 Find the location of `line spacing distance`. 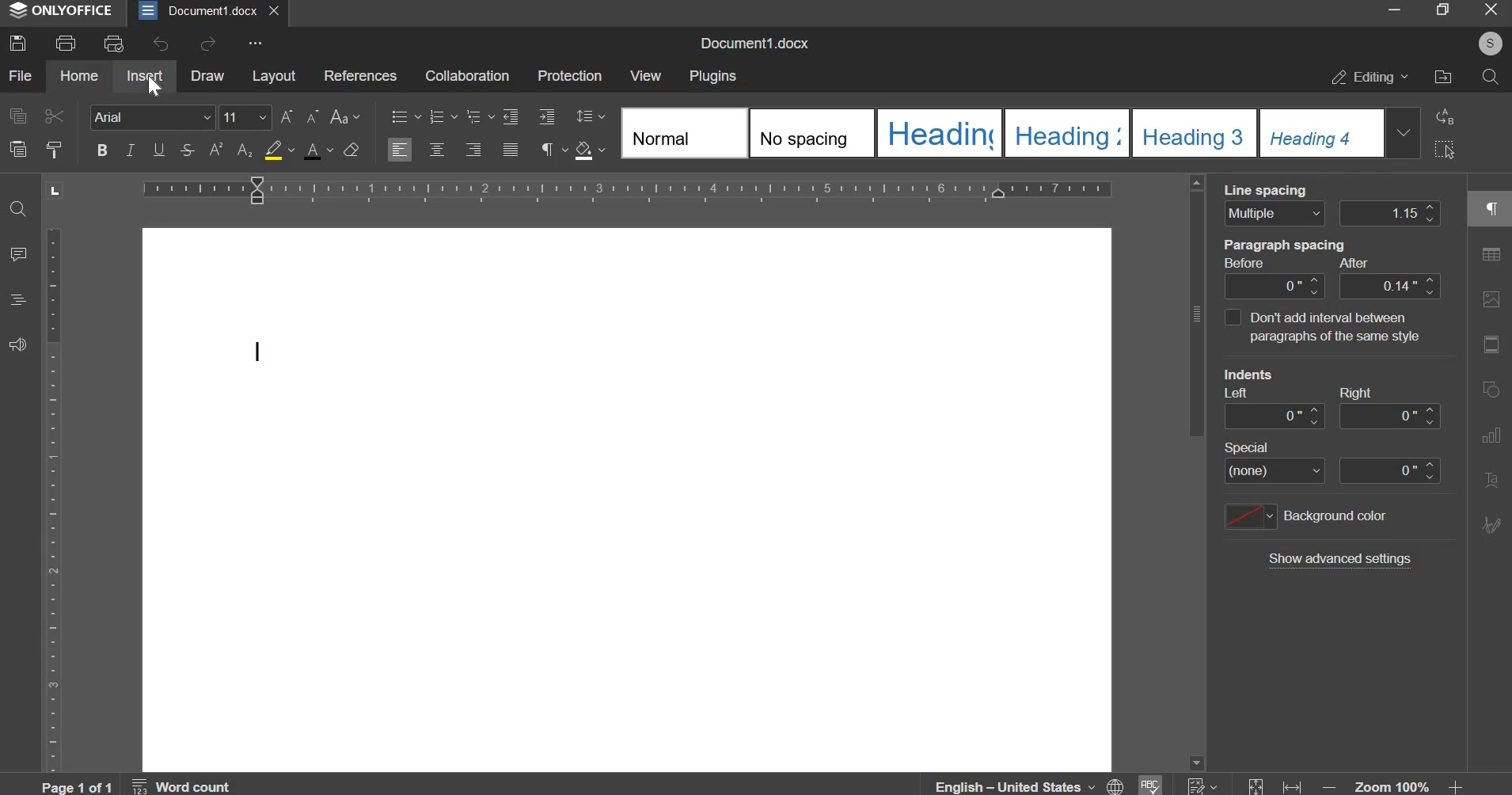

line spacing distance is located at coordinates (1390, 213).